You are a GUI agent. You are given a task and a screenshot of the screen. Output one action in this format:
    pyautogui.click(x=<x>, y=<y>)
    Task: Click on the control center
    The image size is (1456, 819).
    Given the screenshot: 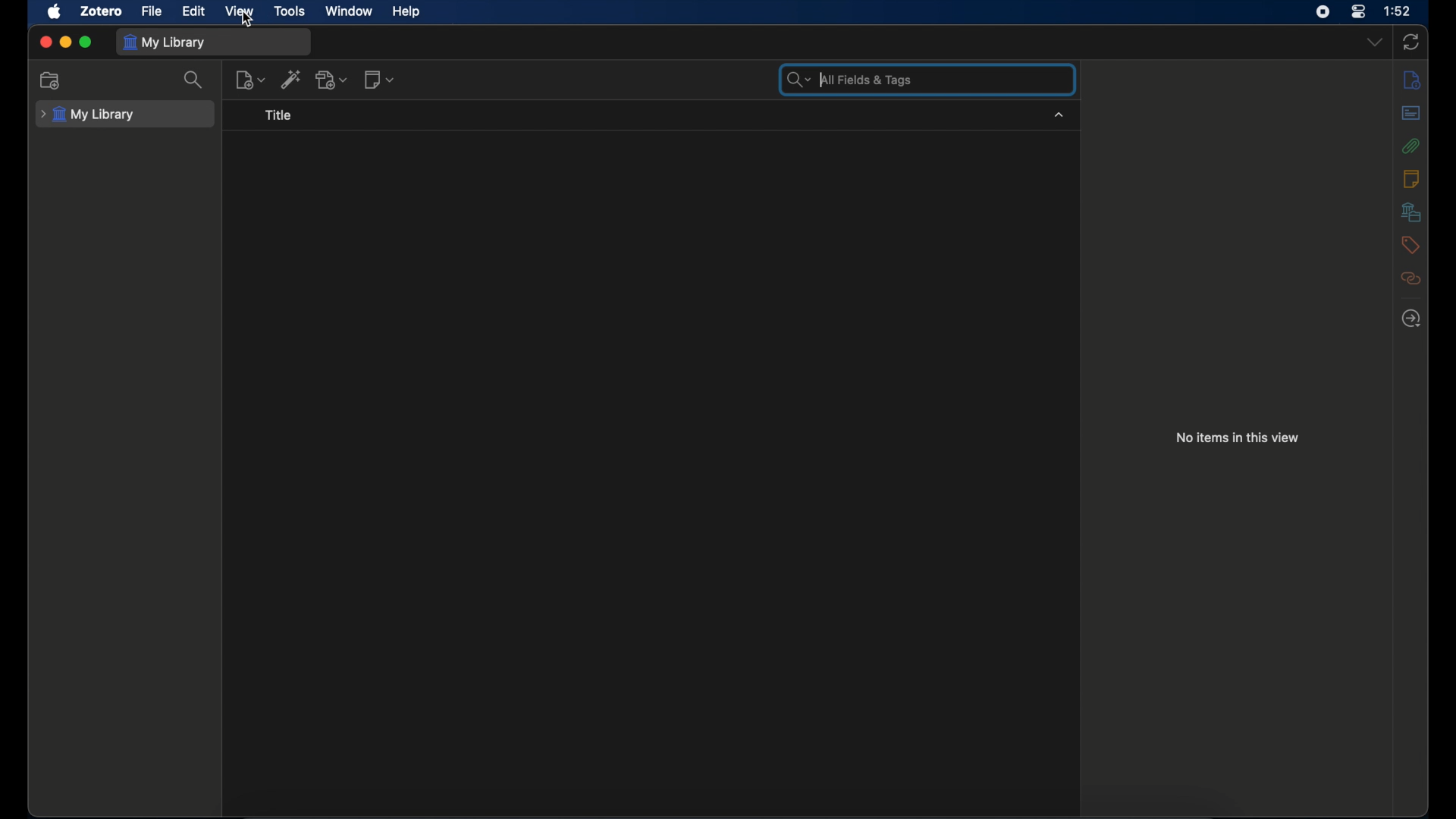 What is the action you would take?
    pyautogui.click(x=1359, y=11)
    